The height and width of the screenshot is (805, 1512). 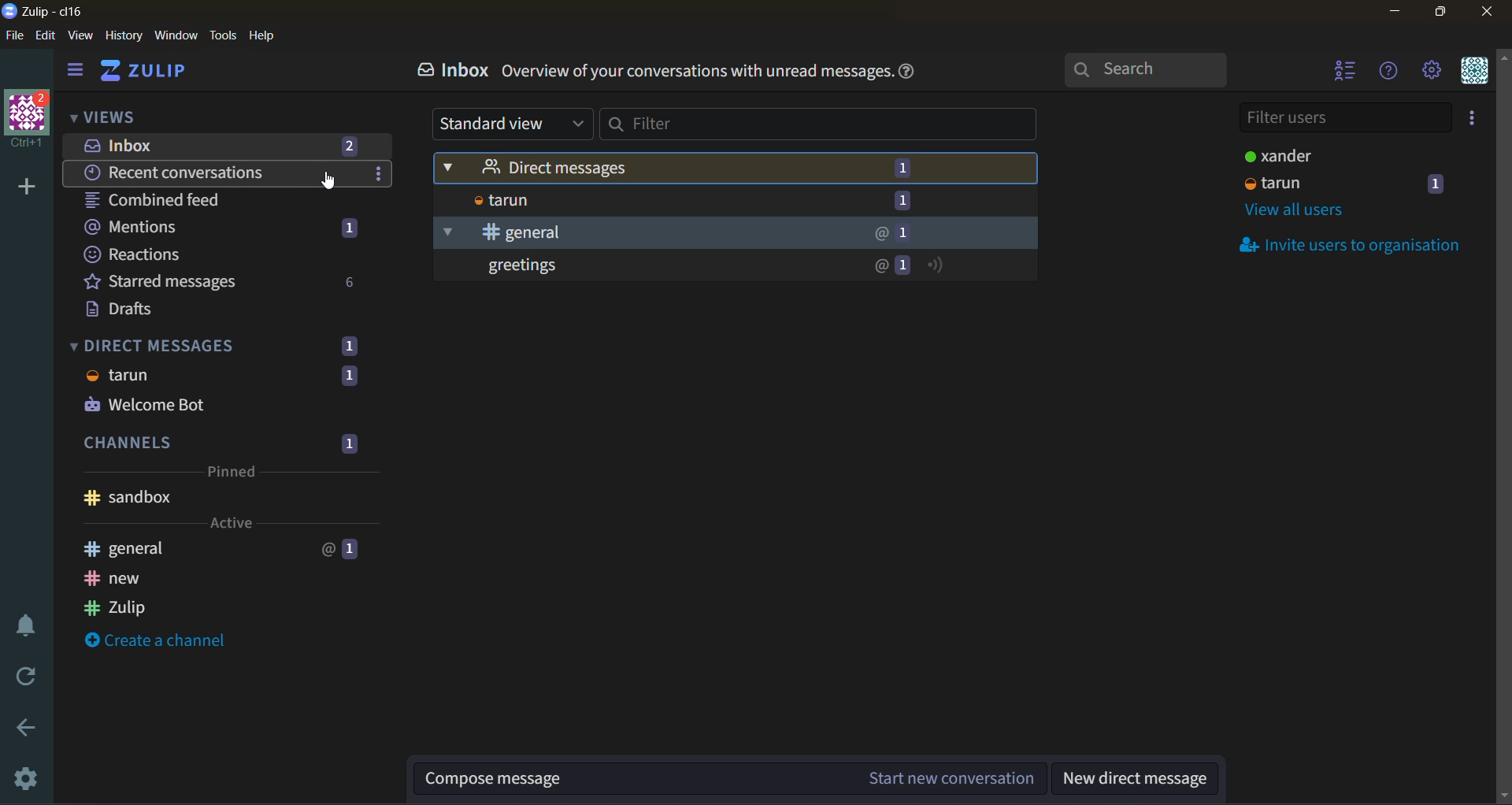 What do you see at coordinates (650, 267) in the screenshot?
I see `greetings` at bounding box center [650, 267].